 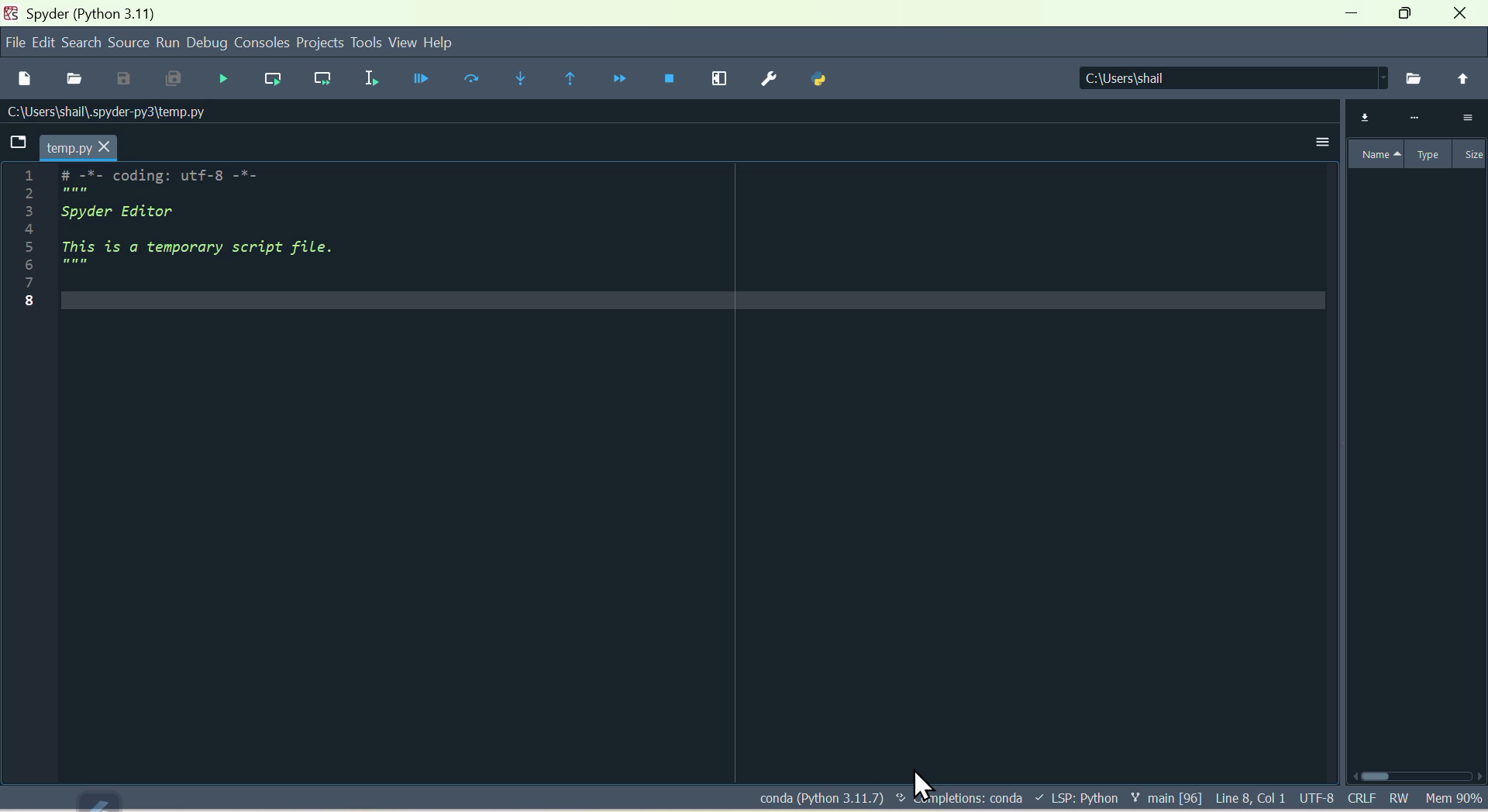 What do you see at coordinates (1413, 137) in the screenshot?
I see `Variable explorer` at bounding box center [1413, 137].